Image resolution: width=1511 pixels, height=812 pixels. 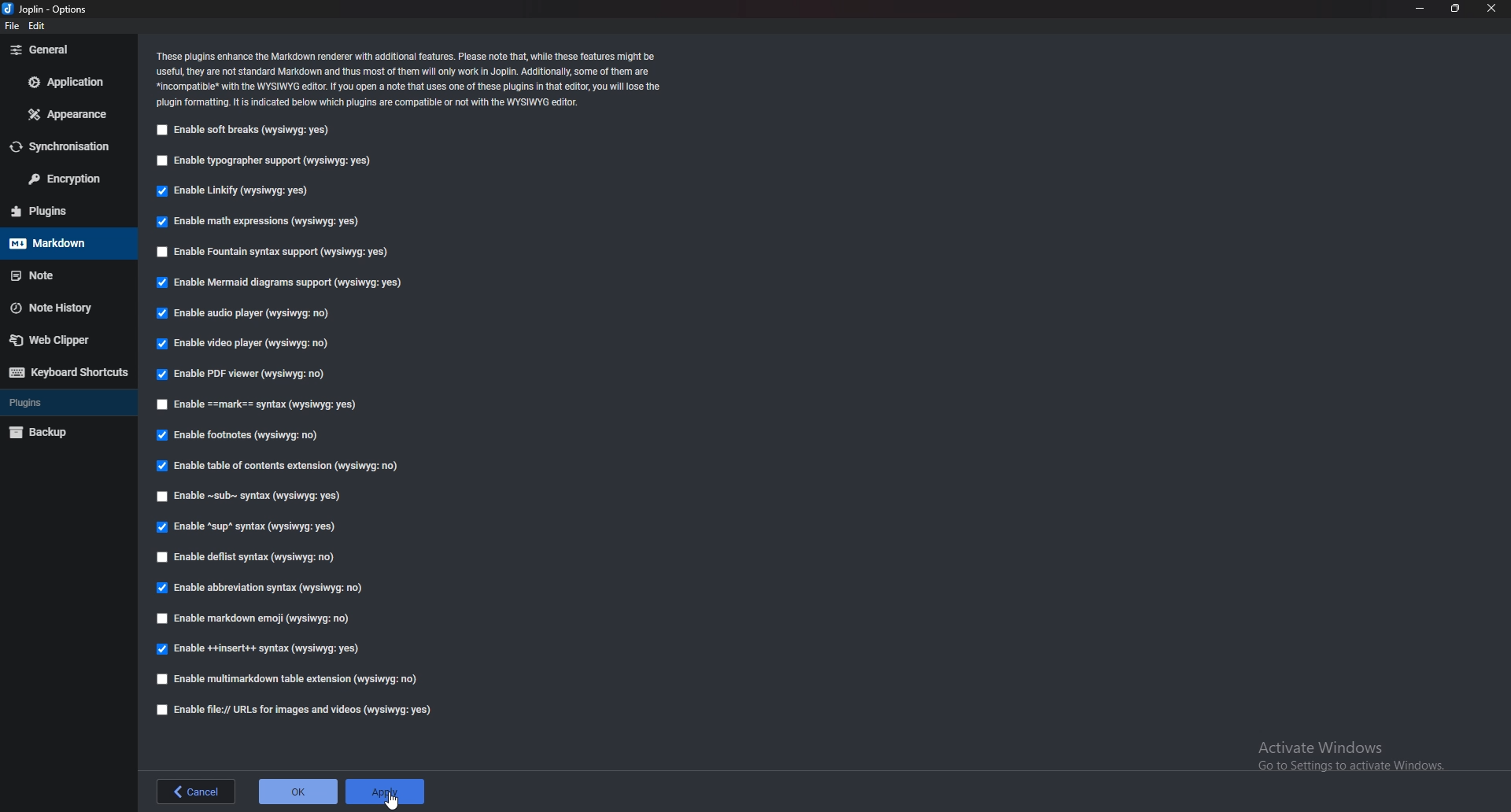 What do you see at coordinates (239, 191) in the screenshot?
I see `Enable linkify` at bounding box center [239, 191].